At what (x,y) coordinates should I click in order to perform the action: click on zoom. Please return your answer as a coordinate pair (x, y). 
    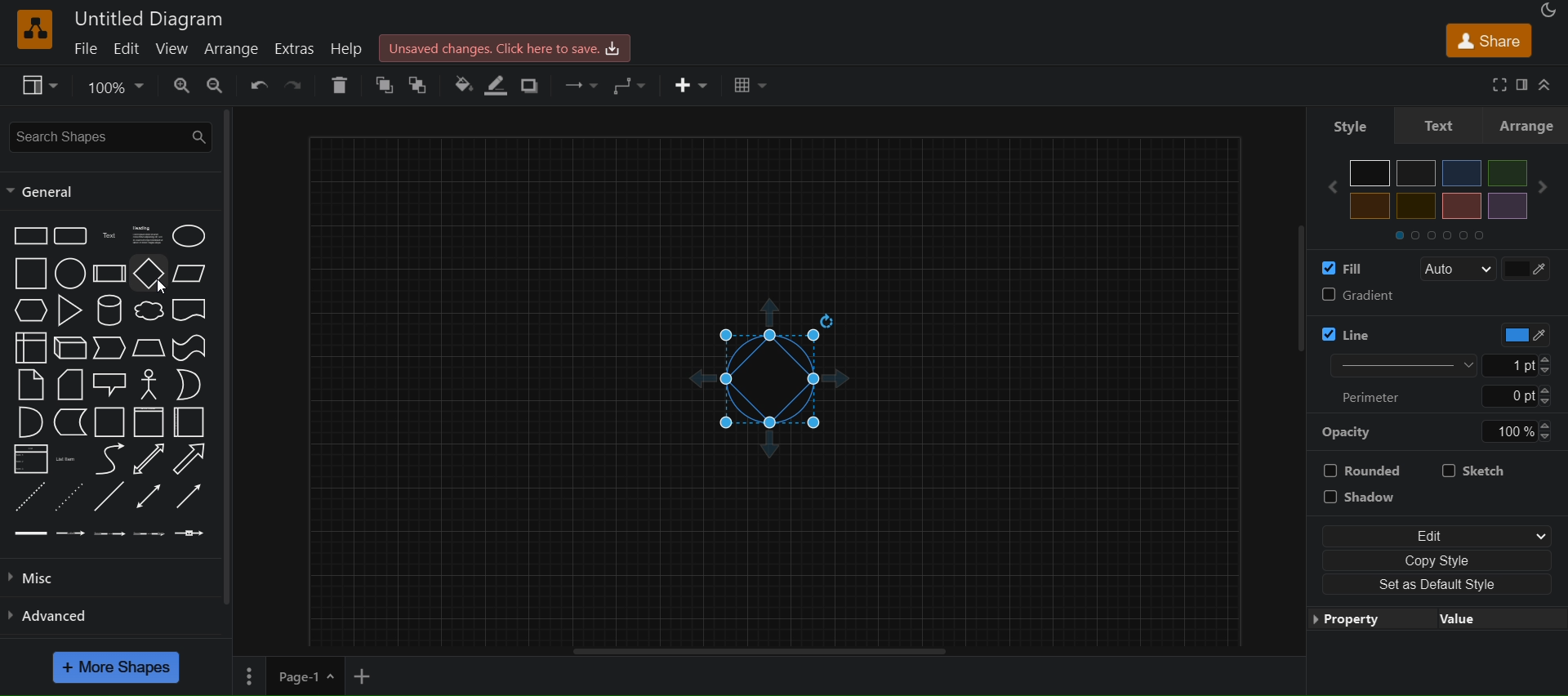
    Looking at the image, I should click on (118, 85).